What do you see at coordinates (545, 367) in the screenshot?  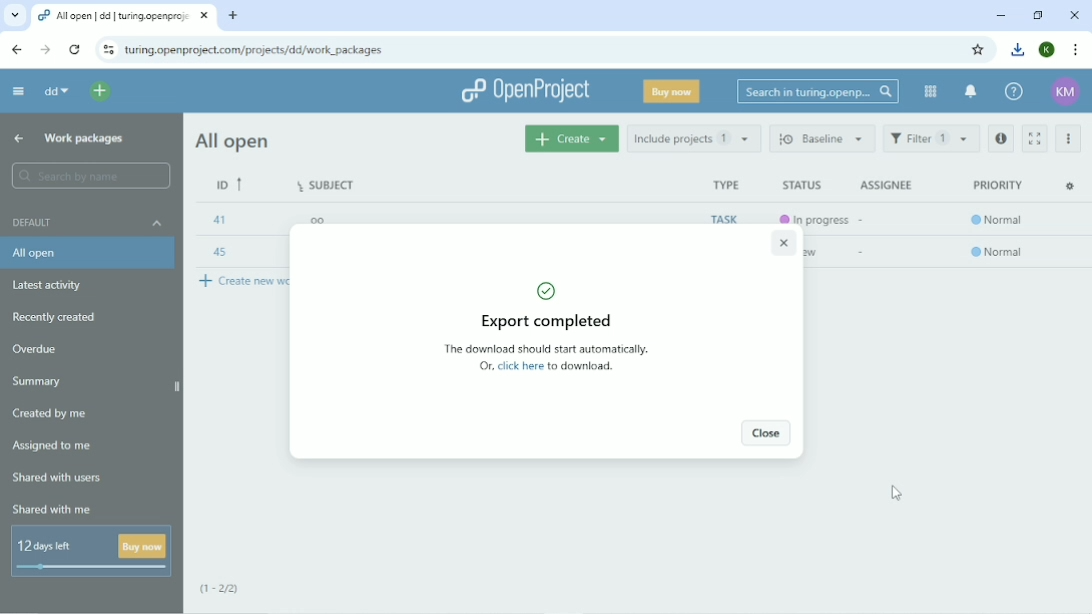 I see `or, click here to download.` at bounding box center [545, 367].